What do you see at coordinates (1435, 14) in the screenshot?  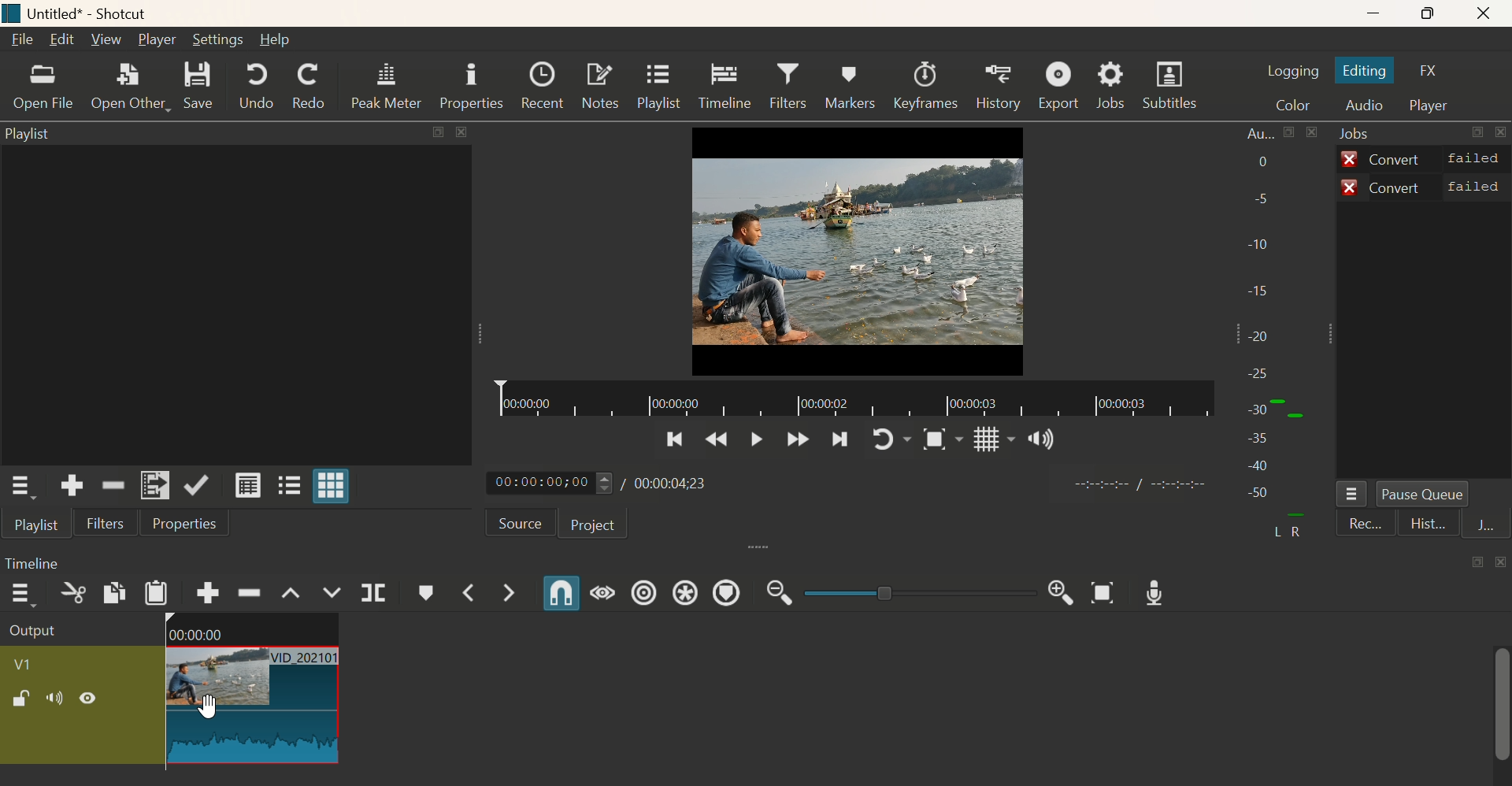 I see `Maximise` at bounding box center [1435, 14].